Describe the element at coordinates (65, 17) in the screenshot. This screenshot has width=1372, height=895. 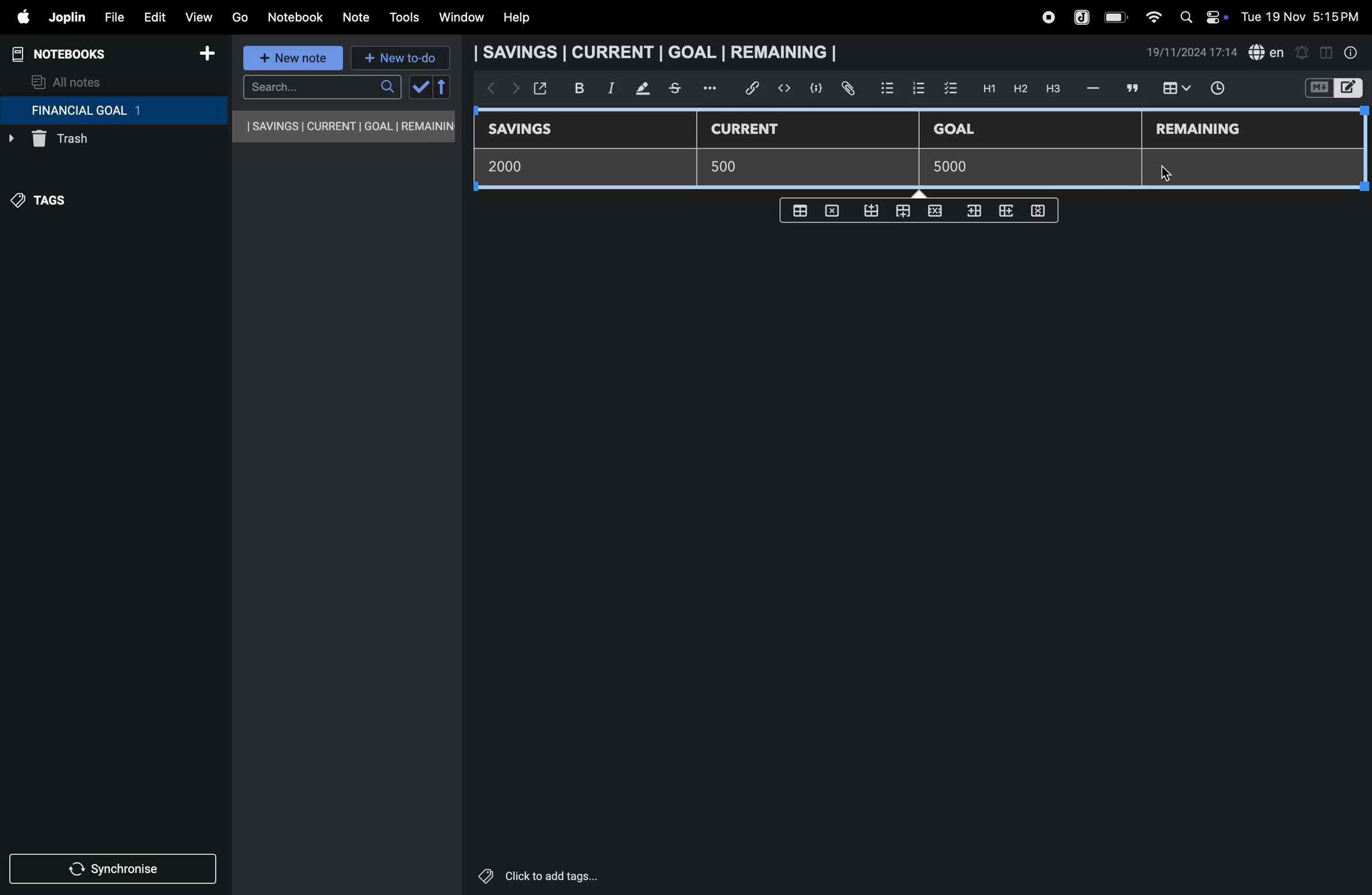
I see `joplin menu` at that location.